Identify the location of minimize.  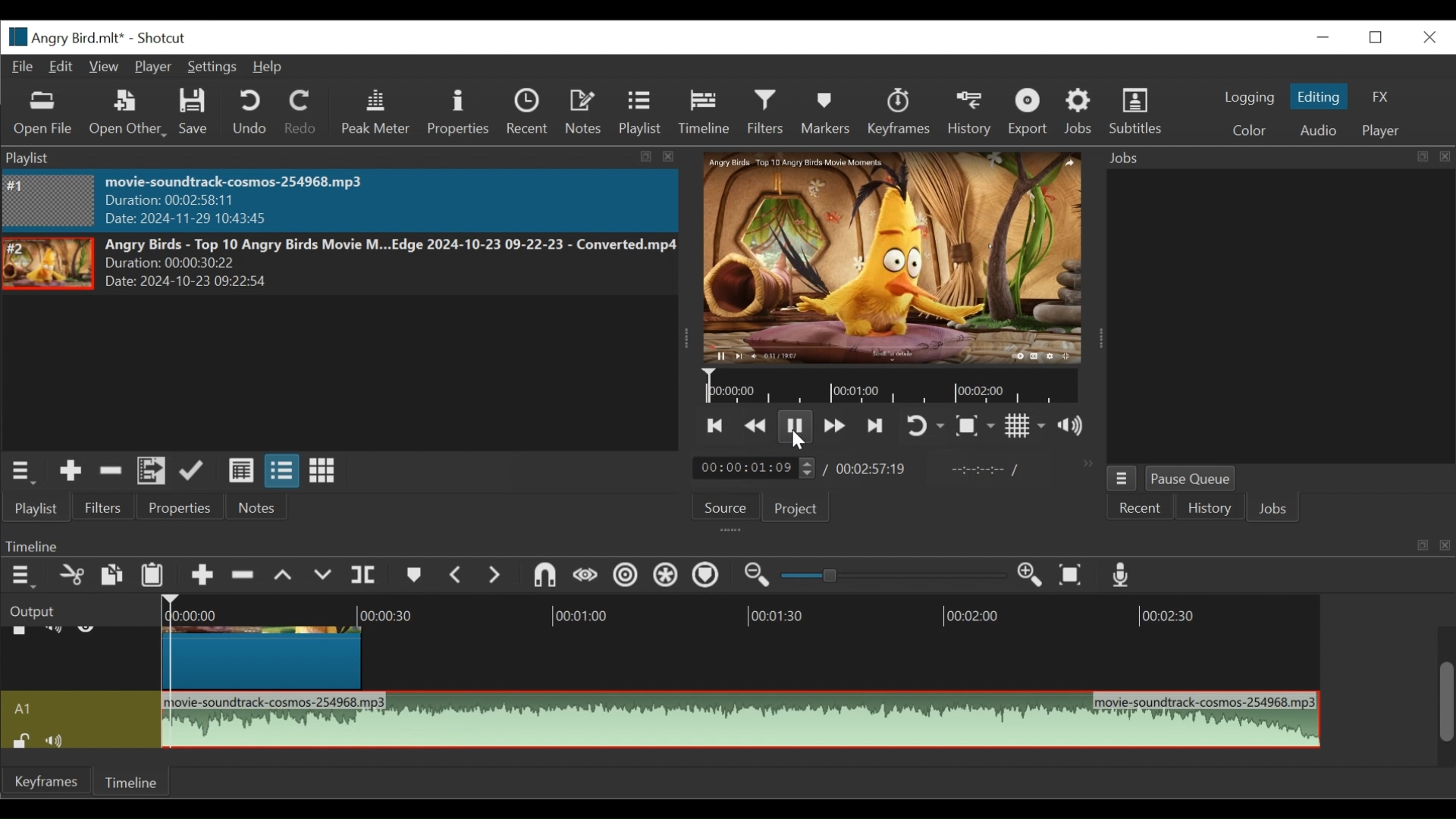
(1323, 35).